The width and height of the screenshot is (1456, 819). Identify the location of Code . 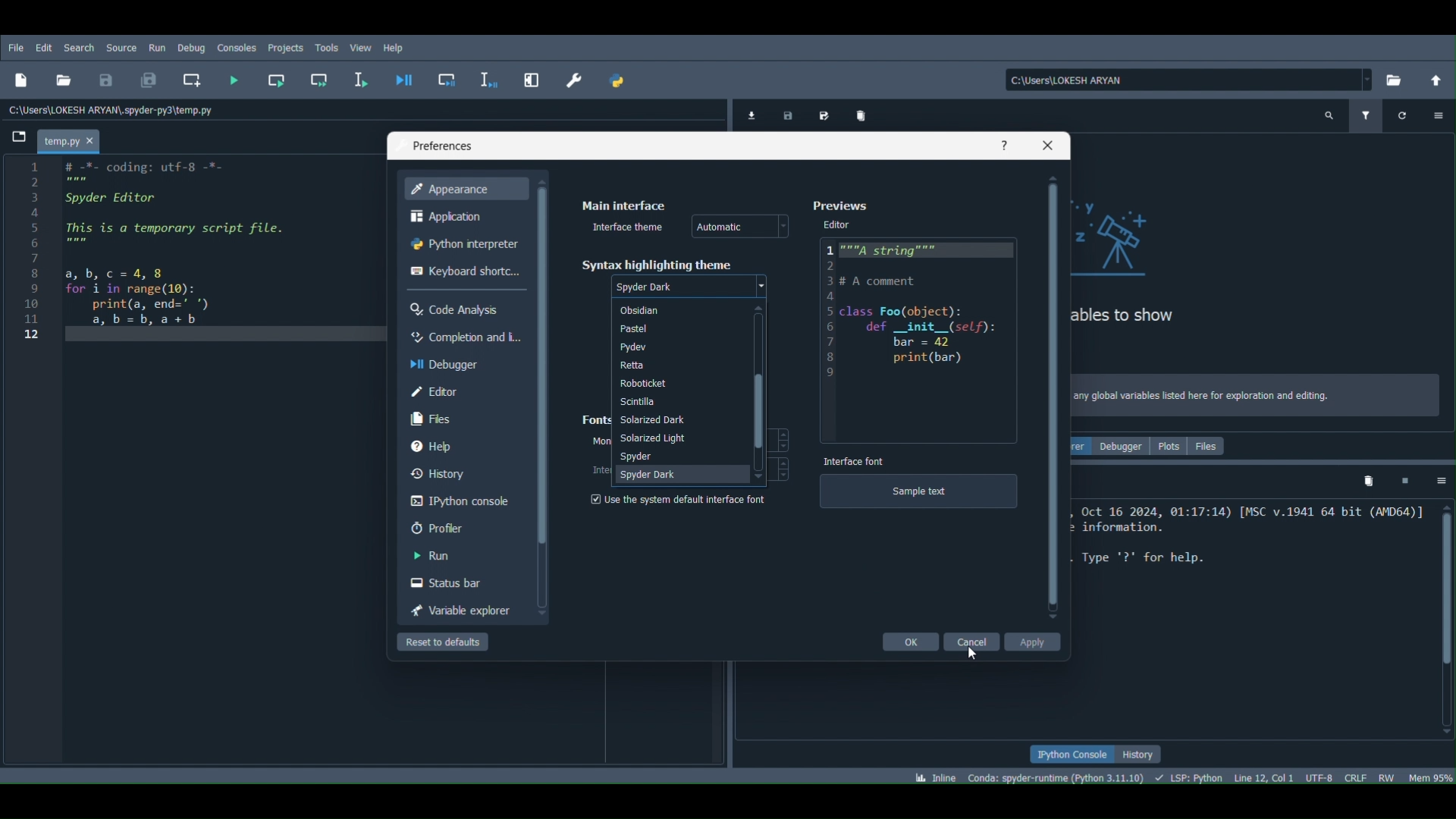
(922, 334).